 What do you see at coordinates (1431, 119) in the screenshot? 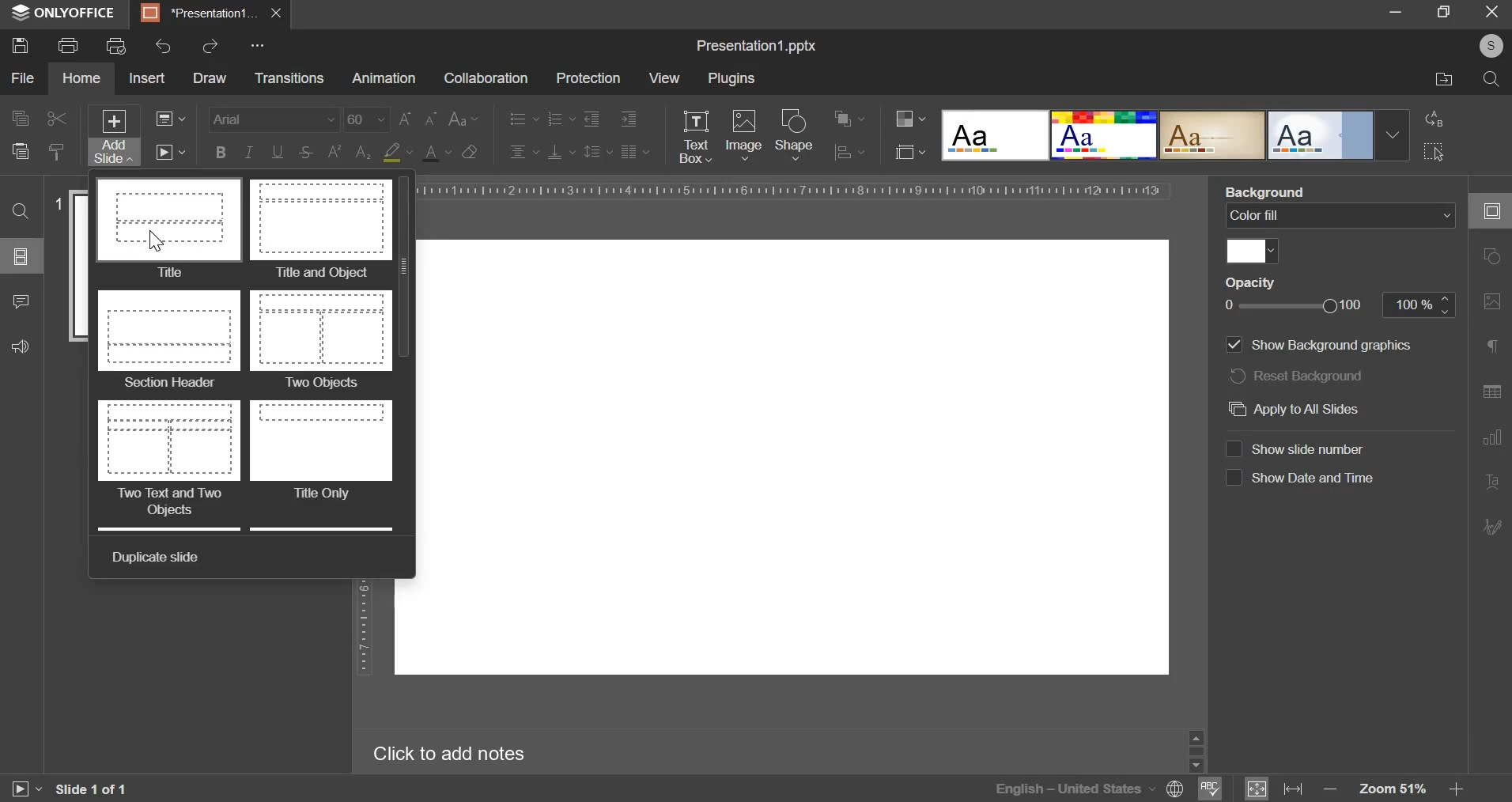
I see `replace` at bounding box center [1431, 119].